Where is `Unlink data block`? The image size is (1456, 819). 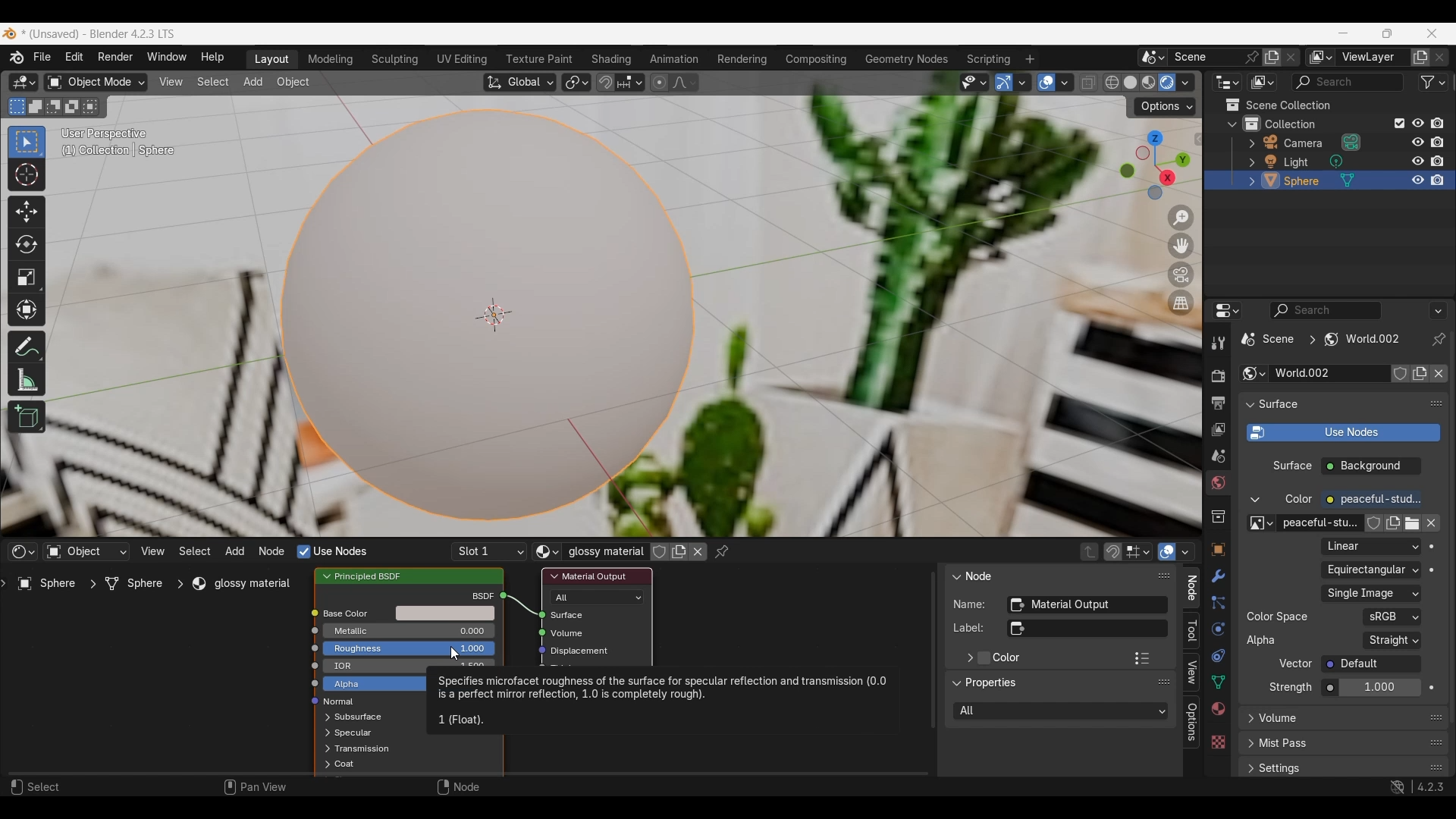
Unlink data block is located at coordinates (698, 551).